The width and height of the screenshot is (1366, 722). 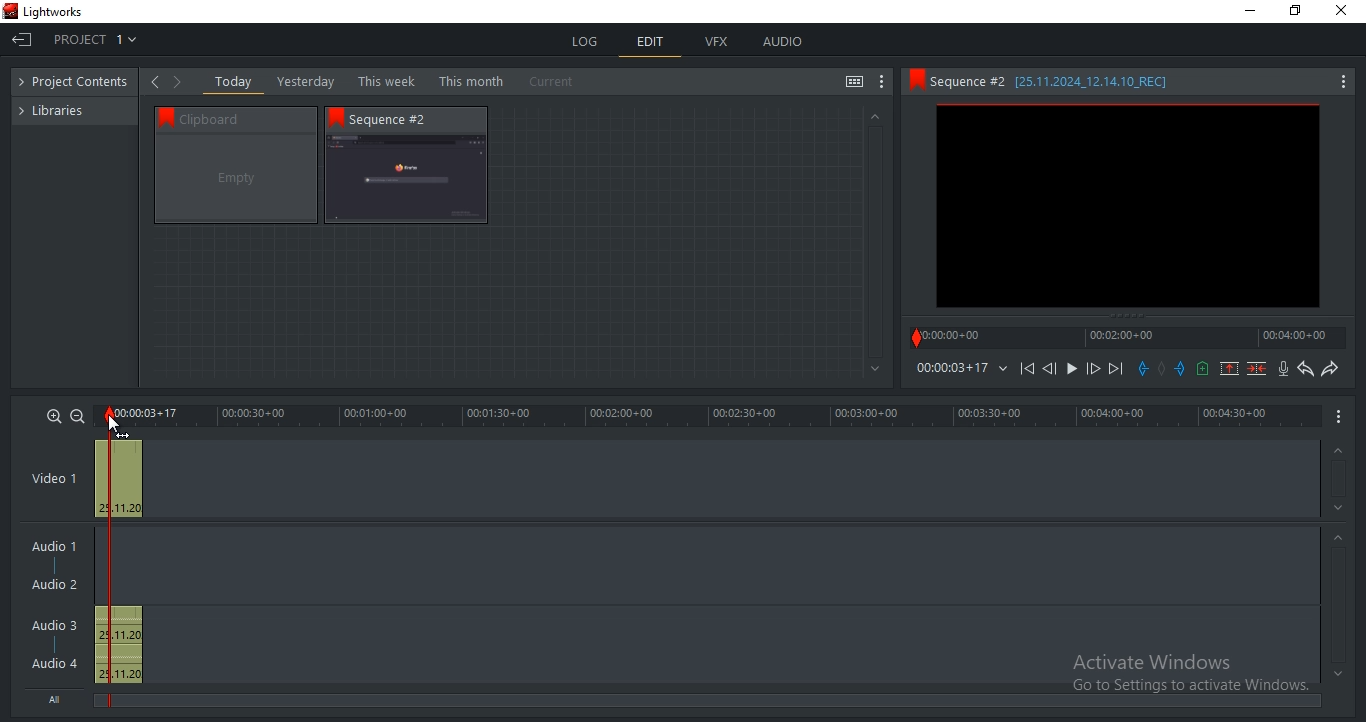 What do you see at coordinates (651, 44) in the screenshot?
I see `edit` at bounding box center [651, 44].